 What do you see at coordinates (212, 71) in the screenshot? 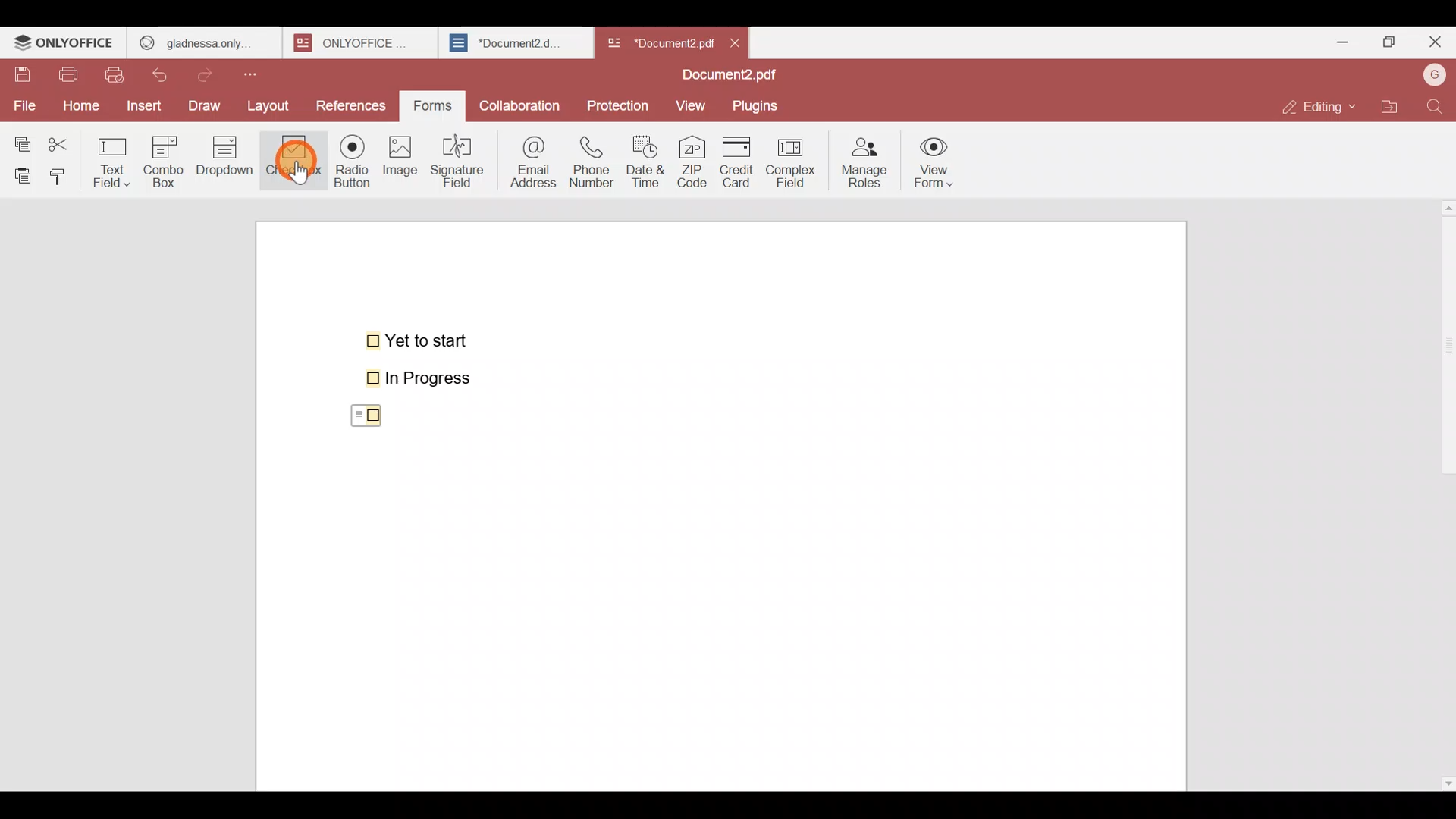
I see `Redo` at bounding box center [212, 71].